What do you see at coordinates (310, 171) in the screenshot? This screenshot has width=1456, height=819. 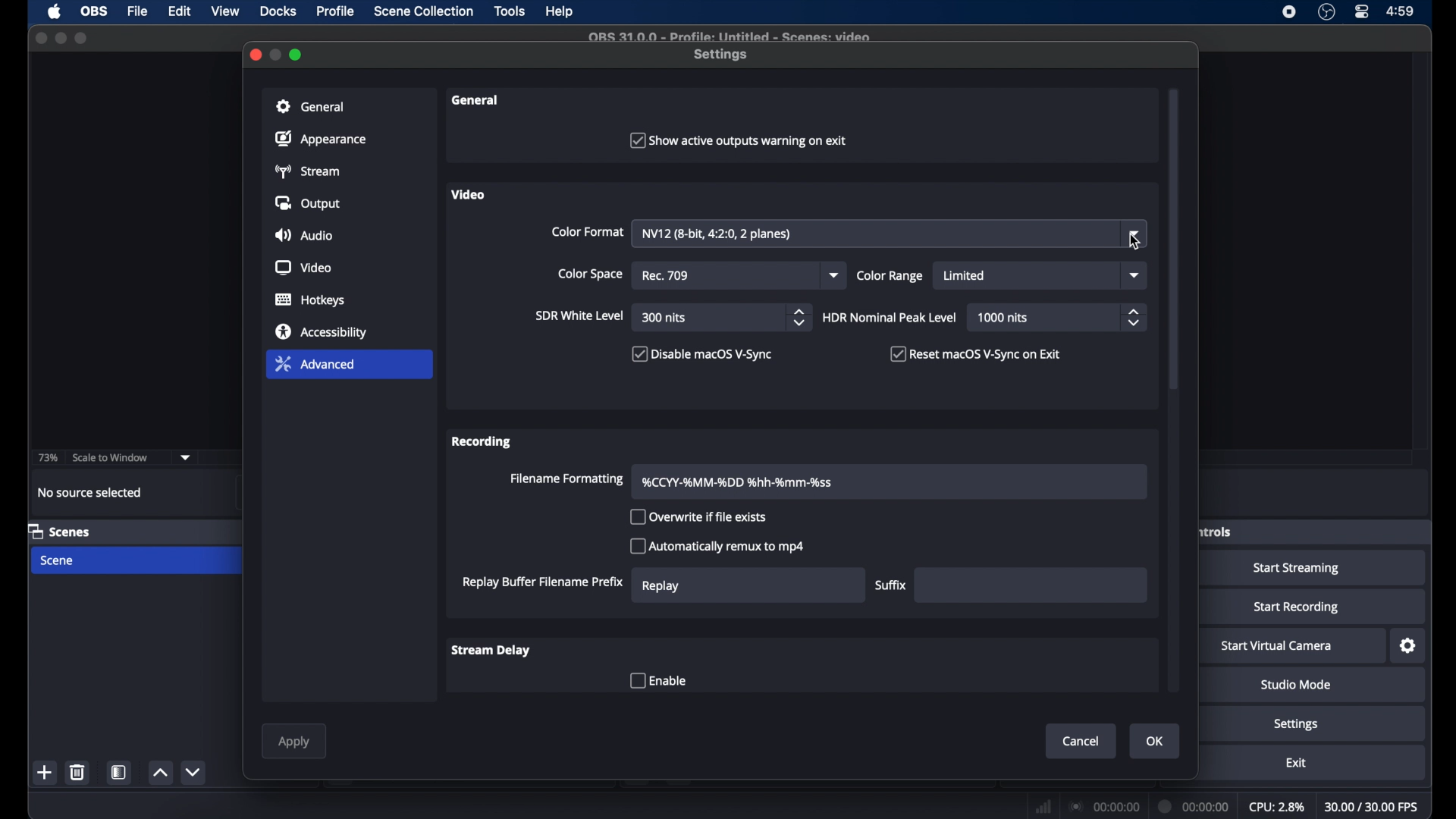 I see `stream` at bounding box center [310, 171].